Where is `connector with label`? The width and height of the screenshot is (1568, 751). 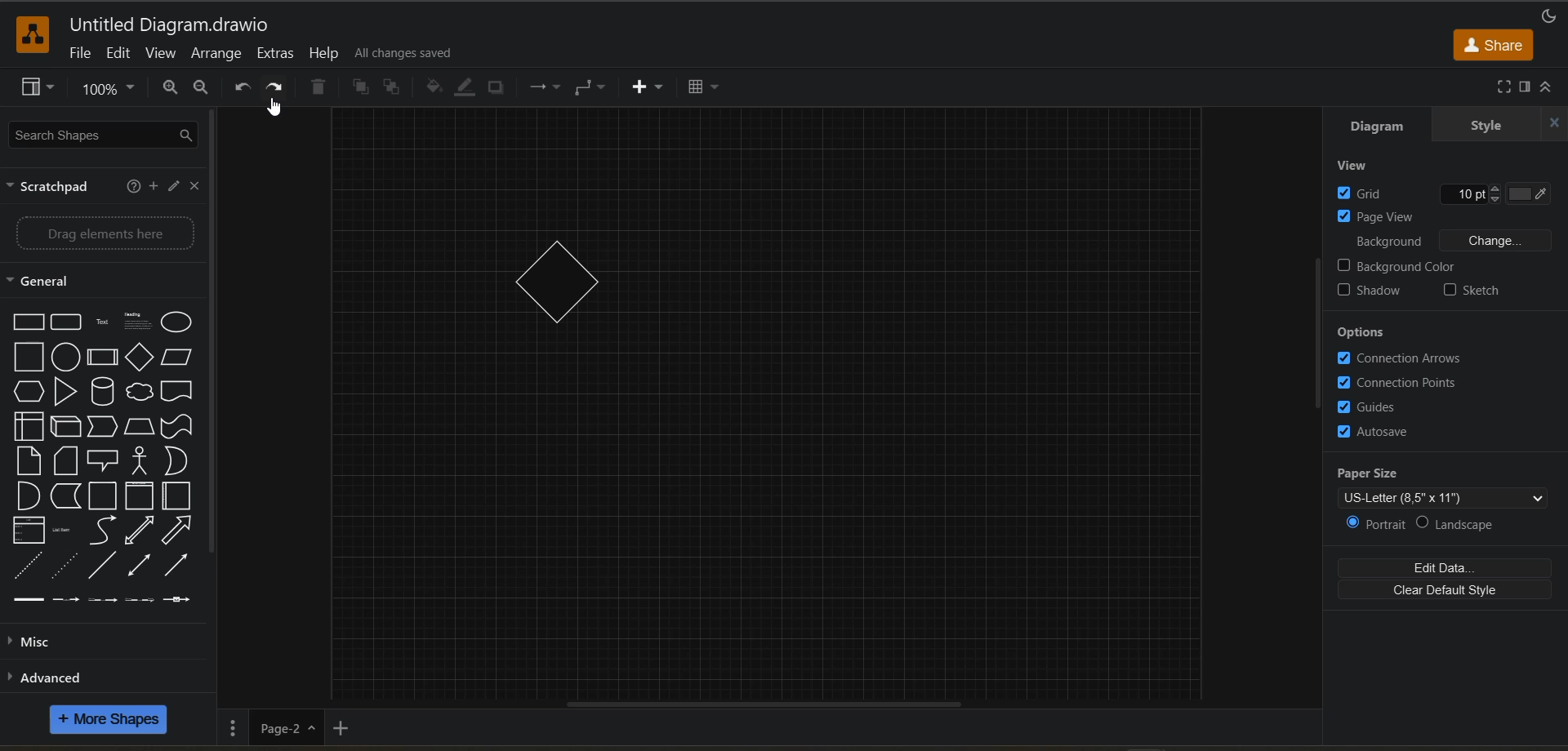 connector with label is located at coordinates (66, 601).